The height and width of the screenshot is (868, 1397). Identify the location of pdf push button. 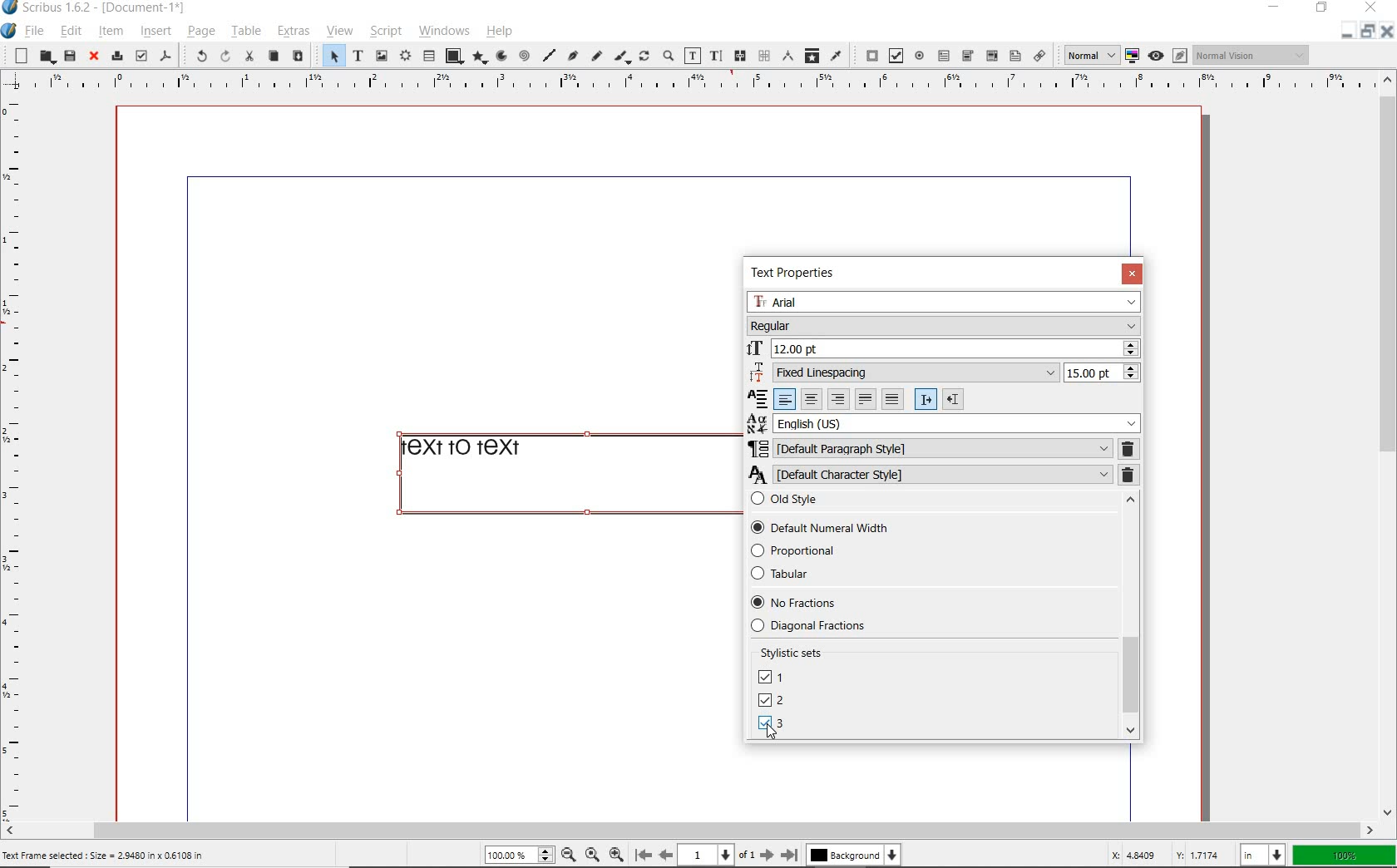
(868, 56).